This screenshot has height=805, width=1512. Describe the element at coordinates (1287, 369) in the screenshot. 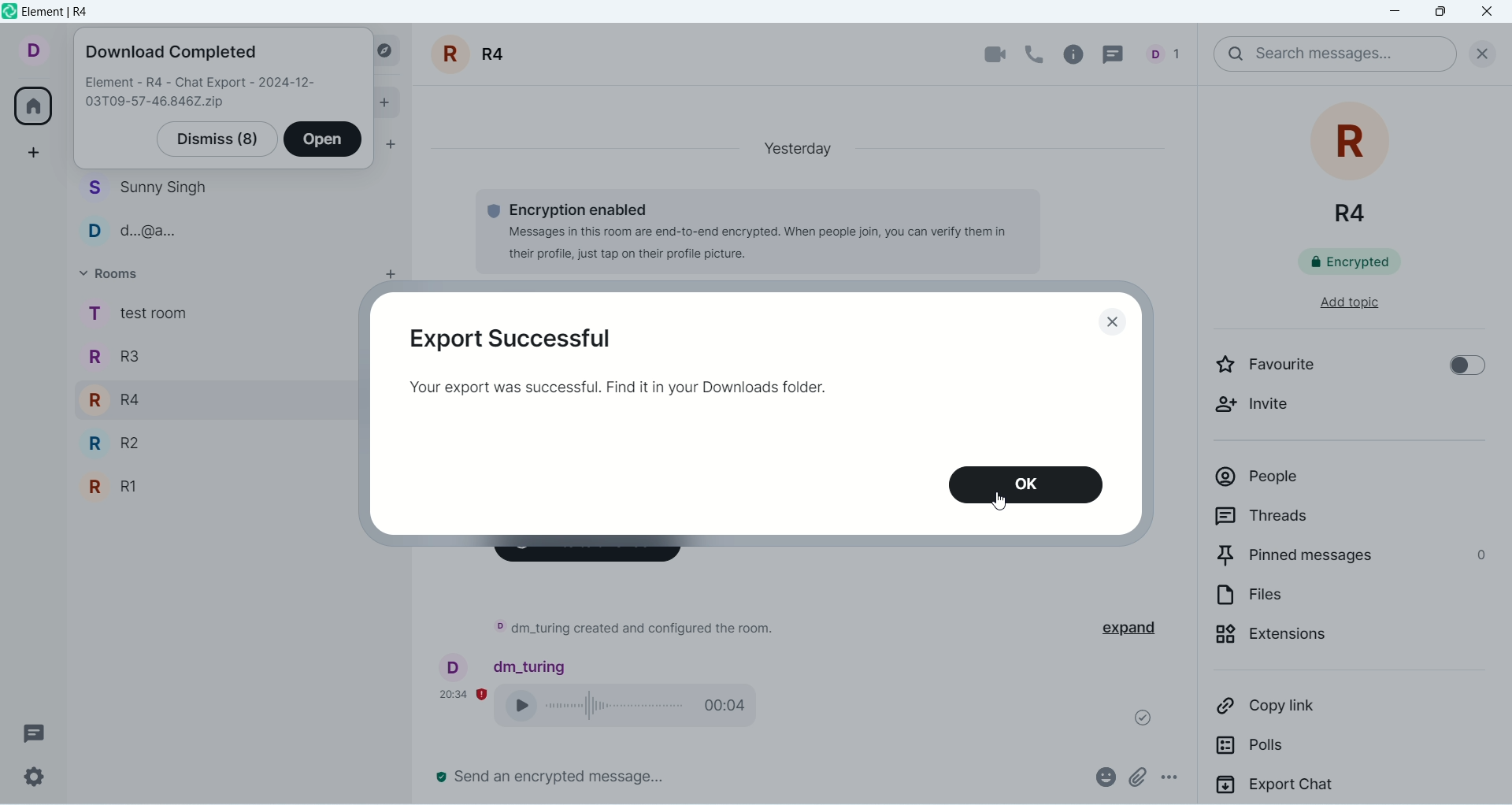

I see `favourite` at that location.